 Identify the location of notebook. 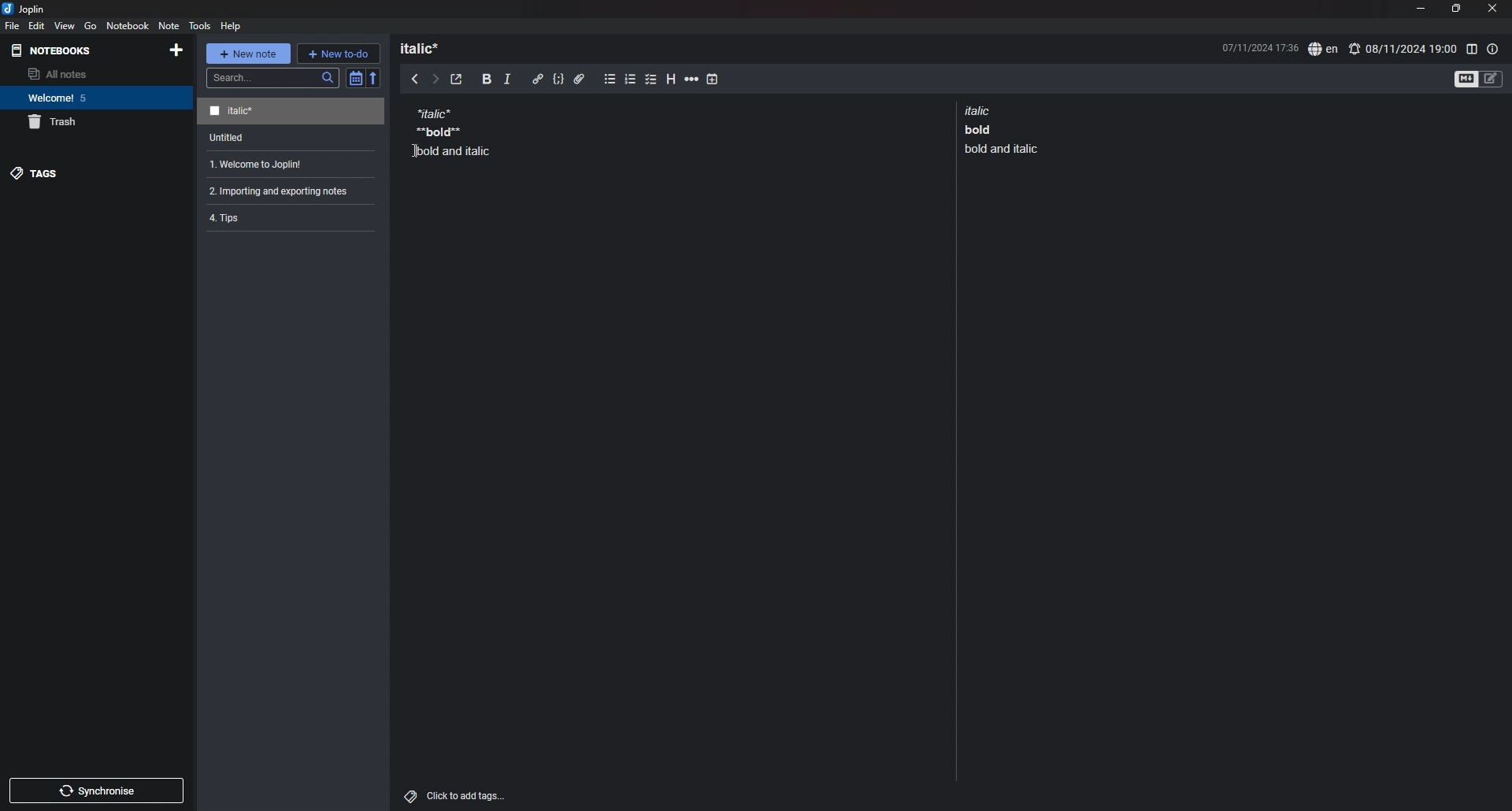
(94, 98).